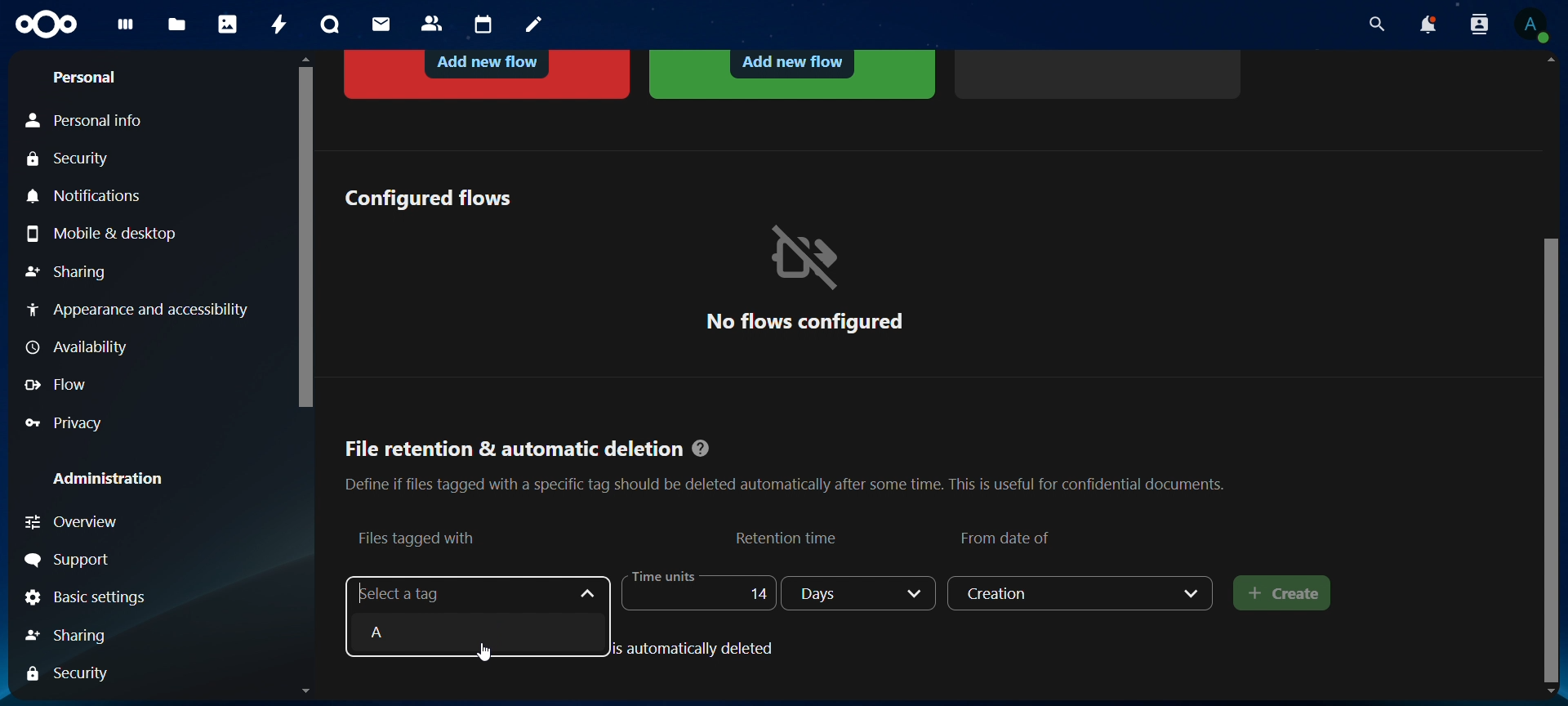 The height and width of the screenshot is (706, 1568). What do you see at coordinates (302, 233) in the screenshot?
I see `scrollbar` at bounding box center [302, 233].